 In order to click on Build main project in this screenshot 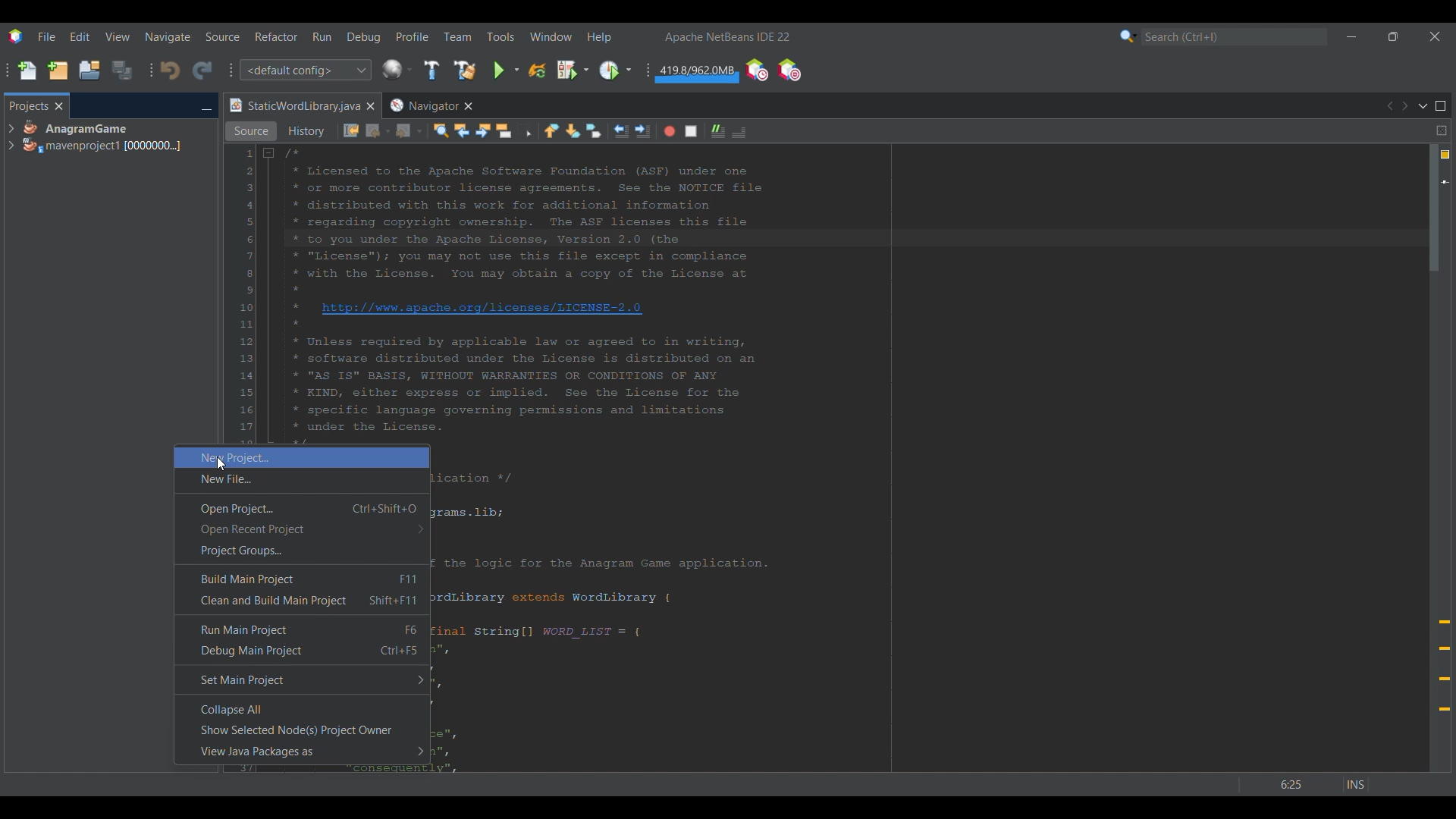, I will do `click(302, 578)`.